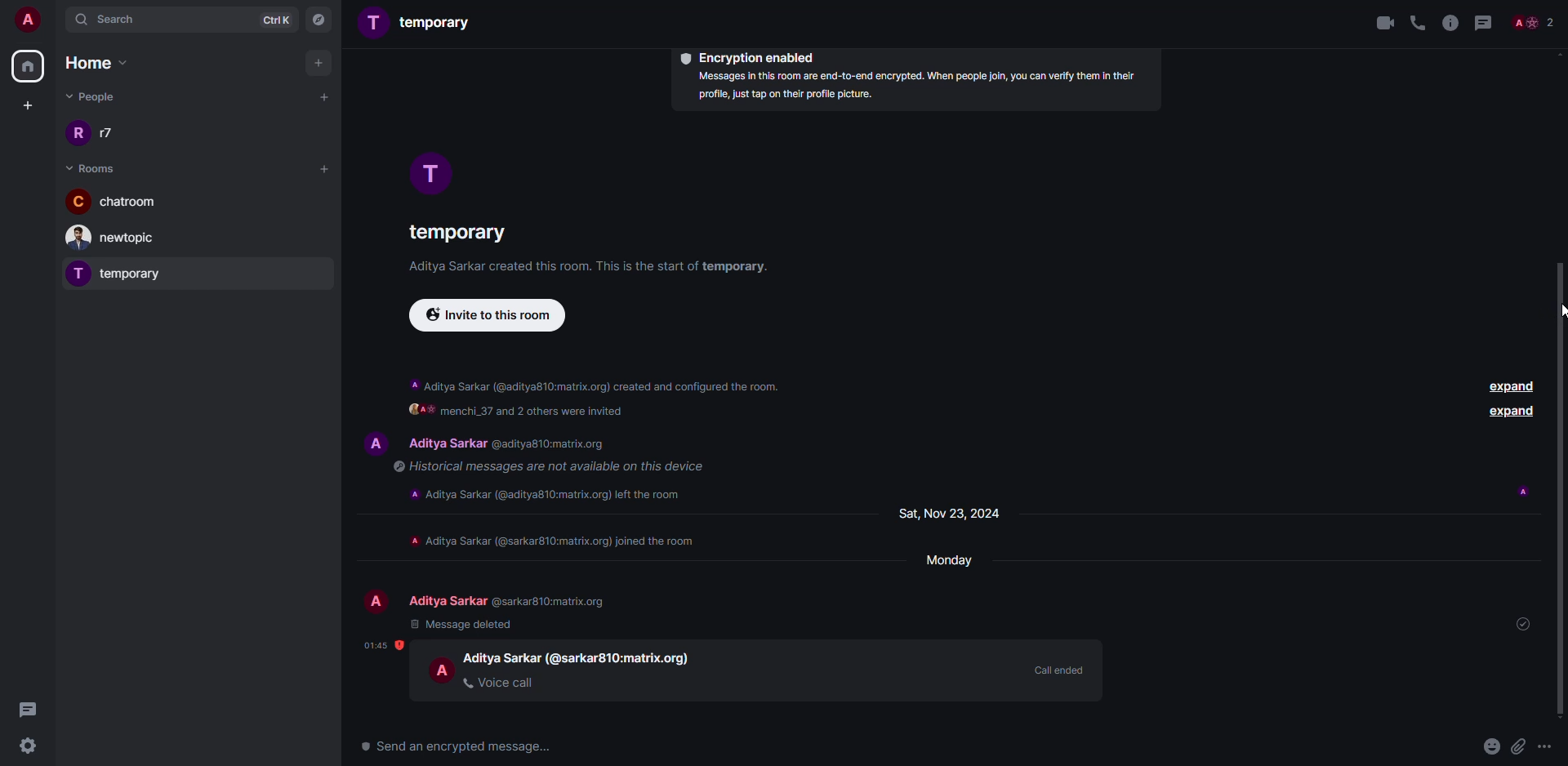 This screenshot has width=1568, height=766. What do you see at coordinates (91, 167) in the screenshot?
I see `room` at bounding box center [91, 167].